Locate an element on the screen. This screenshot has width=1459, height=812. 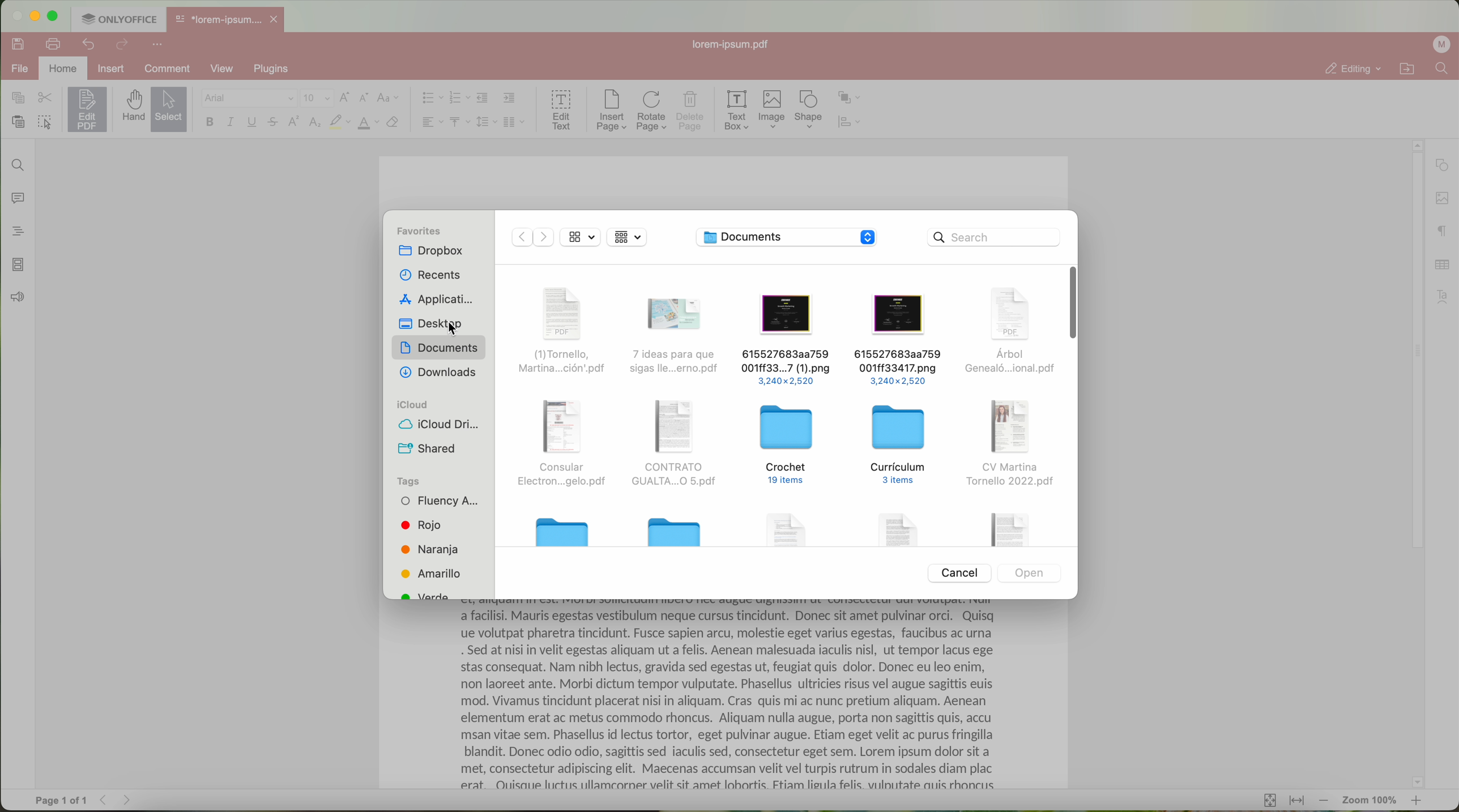
shape settings is located at coordinates (1441, 165).